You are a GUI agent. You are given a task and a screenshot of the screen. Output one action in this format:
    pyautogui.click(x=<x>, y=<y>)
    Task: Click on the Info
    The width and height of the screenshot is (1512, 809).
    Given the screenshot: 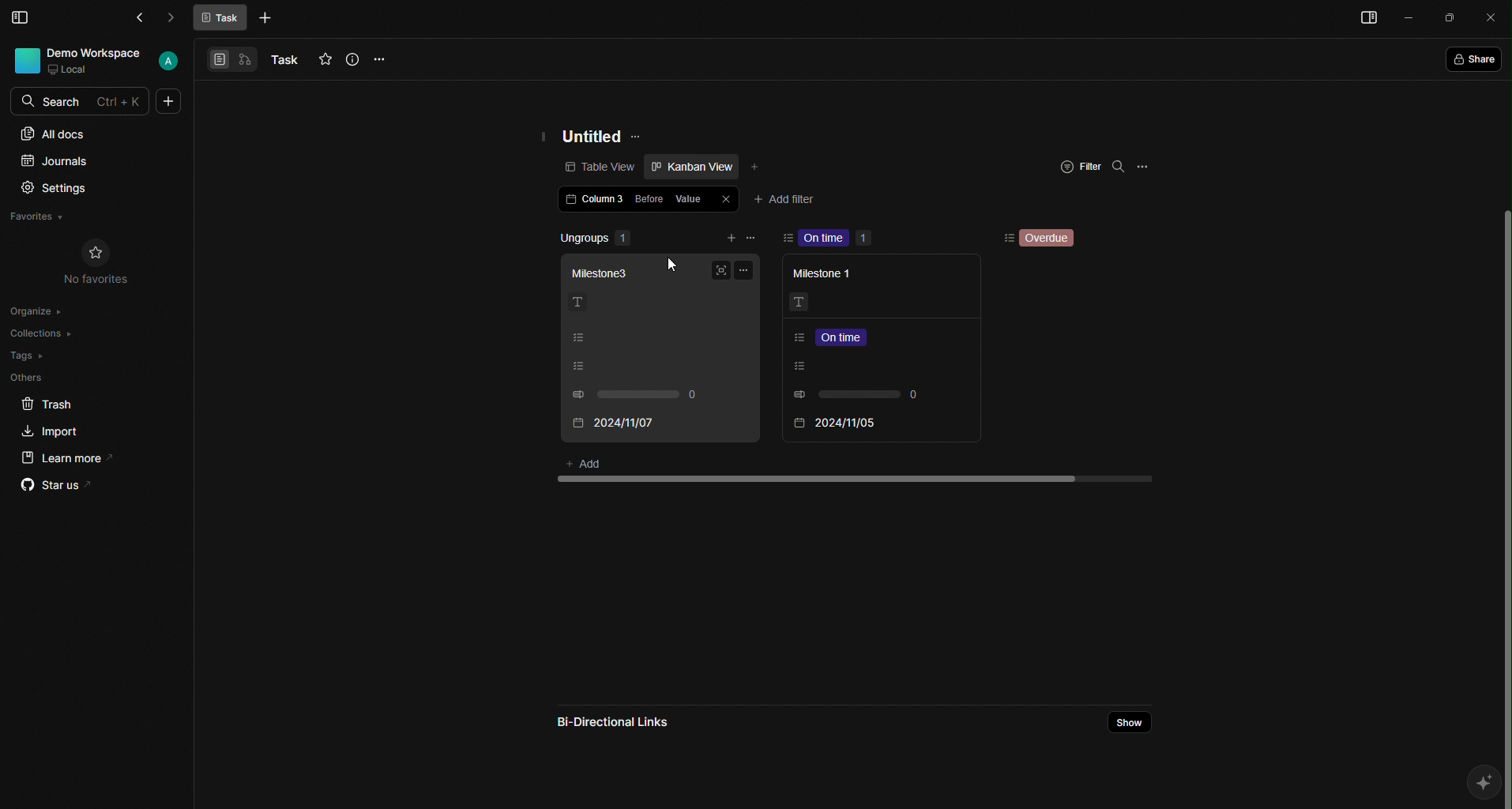 What is the action you would take?
    pyautogui.click(x=351, y=58)
    